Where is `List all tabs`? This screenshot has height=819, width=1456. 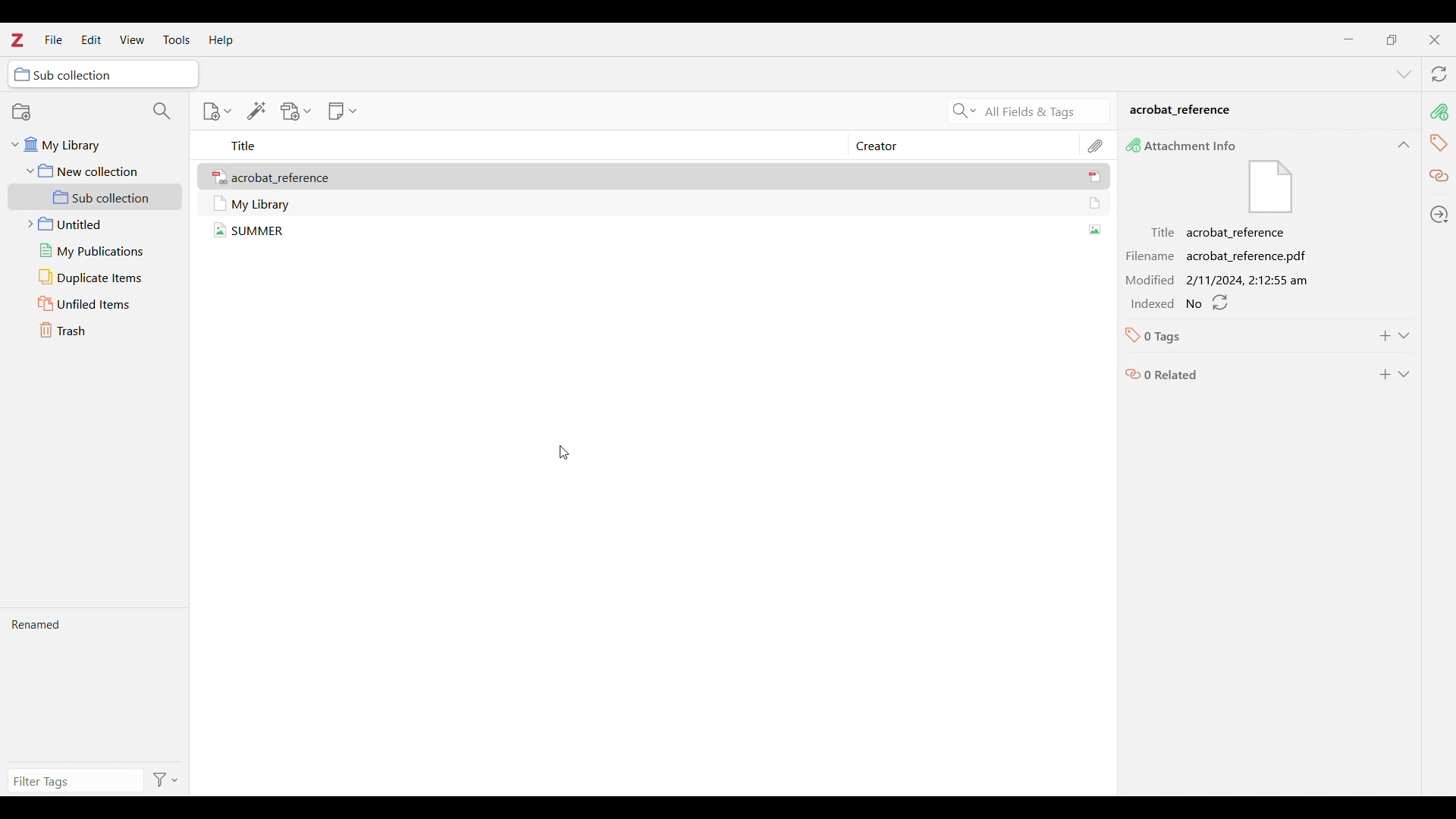
List all tabs is located at coordinates (1404, 74).